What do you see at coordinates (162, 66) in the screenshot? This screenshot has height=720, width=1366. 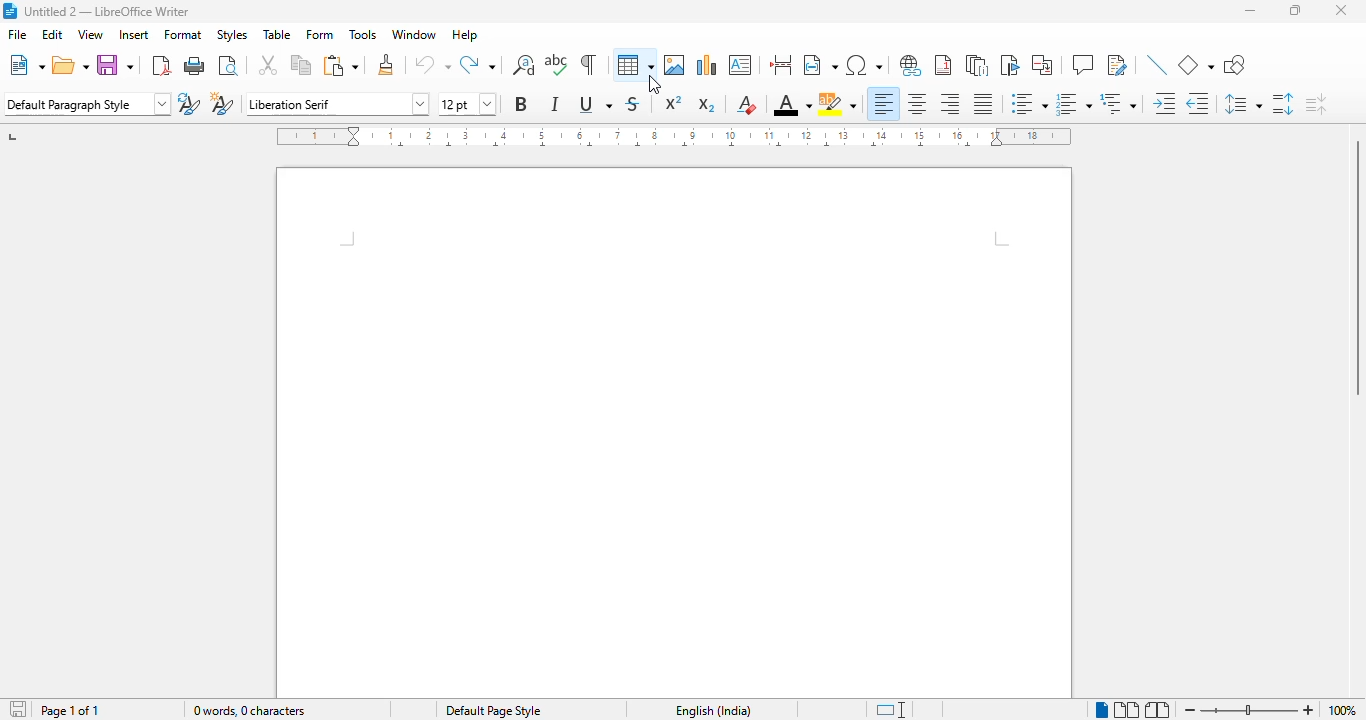 I see `export directly as PDF` at bounding box center [162, 66].